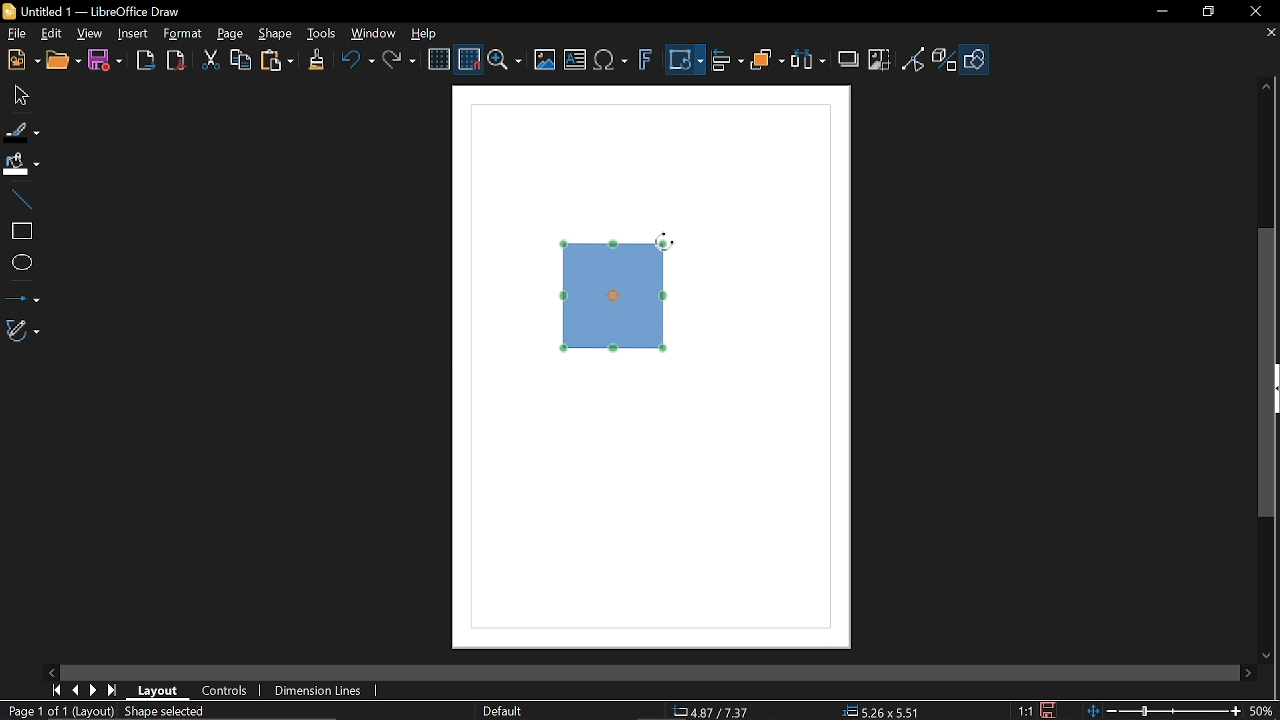  I want to click on Select at least three object to distribute, so click(809, 62).